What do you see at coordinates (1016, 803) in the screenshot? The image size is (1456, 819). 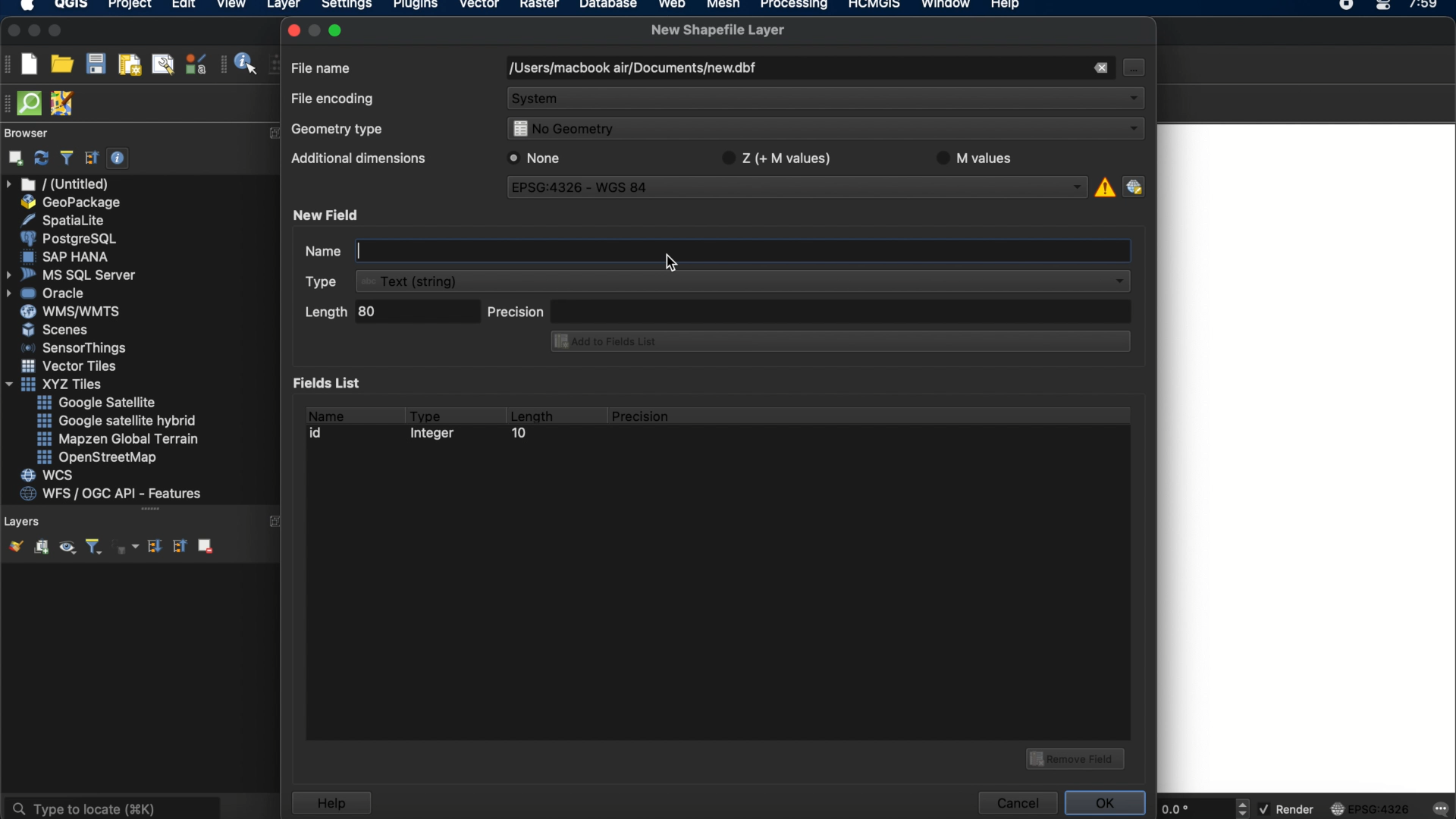 I see `cancel` at bounding box center [1016, 803].